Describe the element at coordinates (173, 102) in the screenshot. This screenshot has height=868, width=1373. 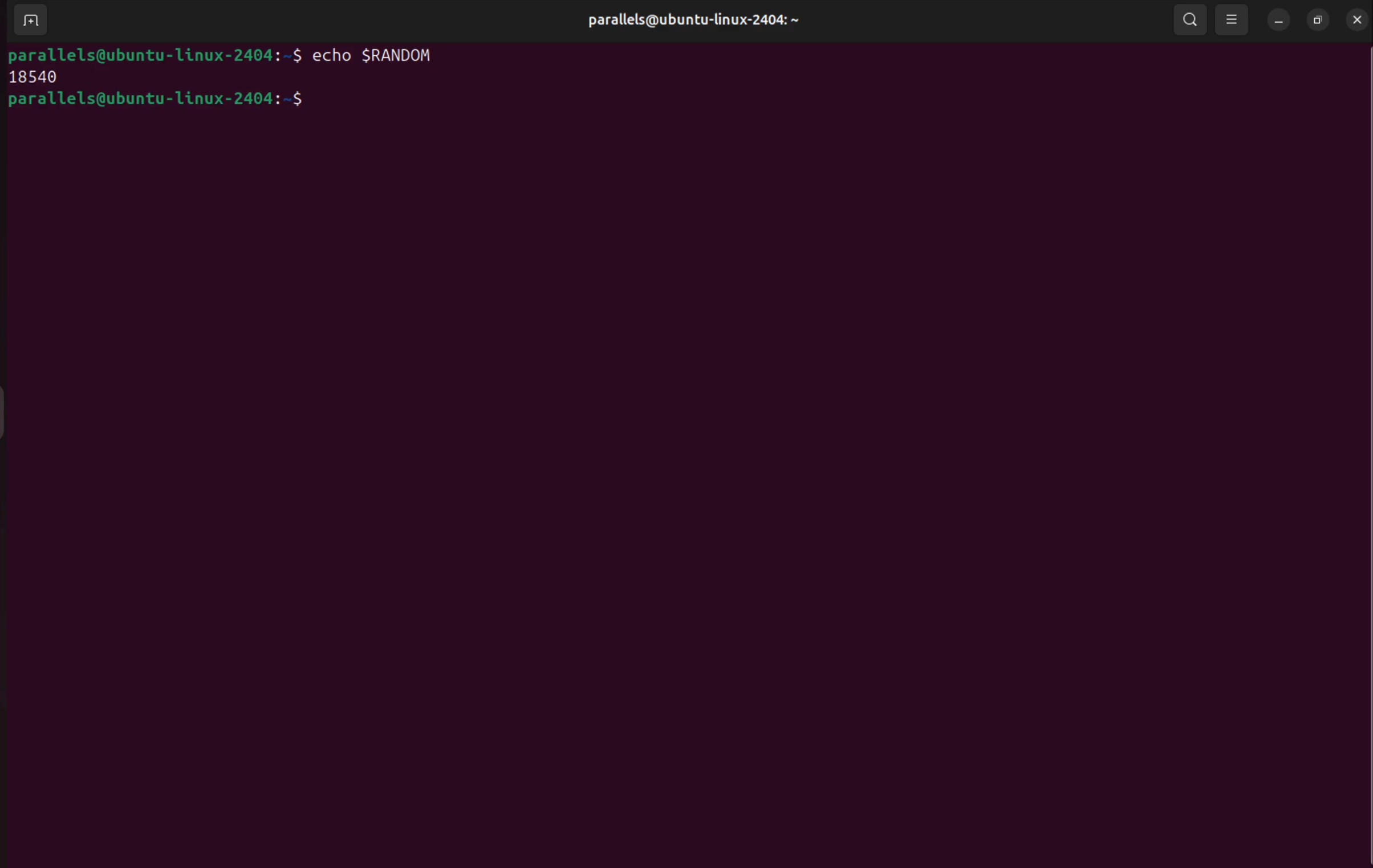
I see `bash prompts` at that location.